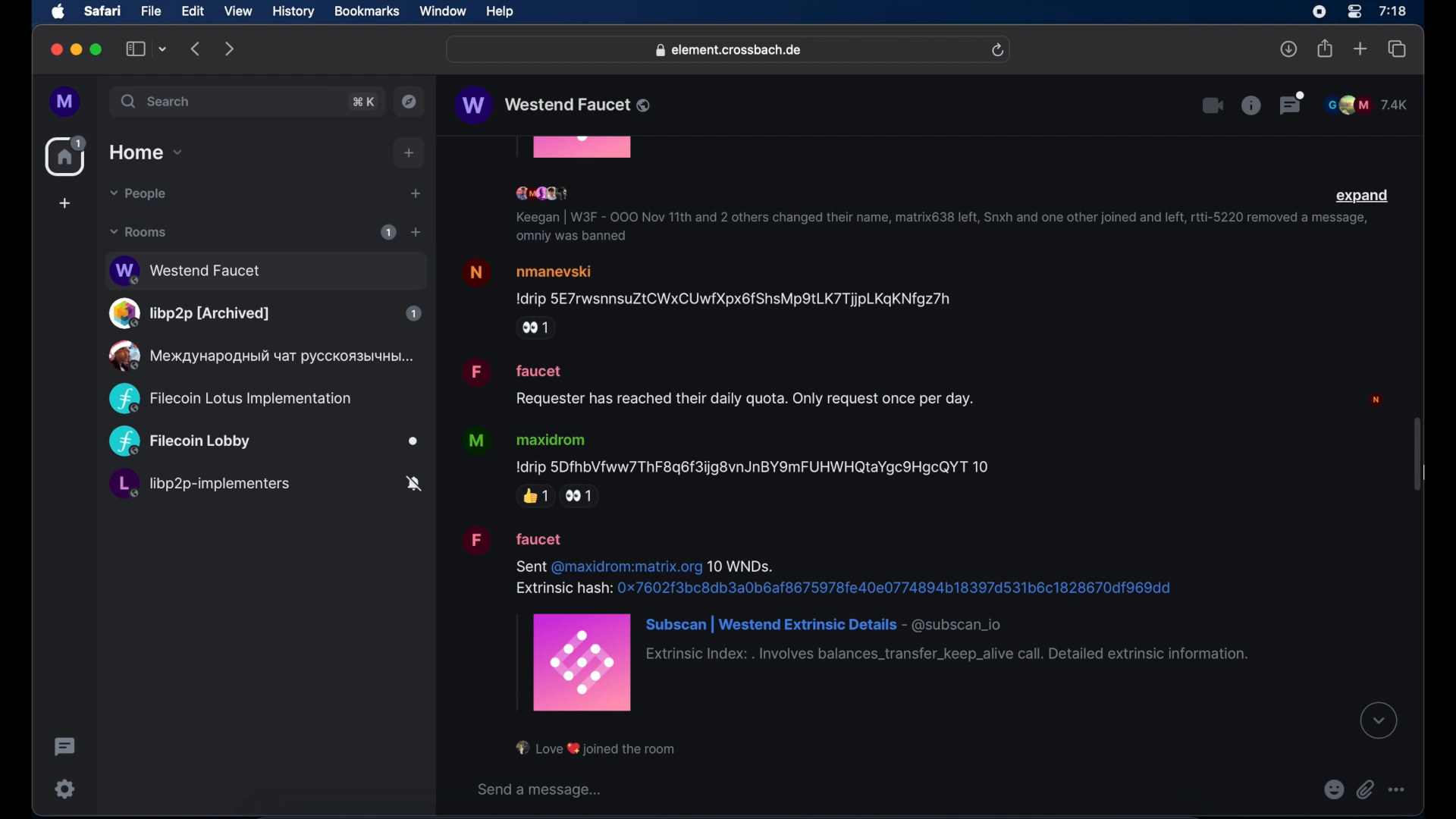 This screenshot has width=1456, height=819. I want to click on maximize, so click(98, 49).